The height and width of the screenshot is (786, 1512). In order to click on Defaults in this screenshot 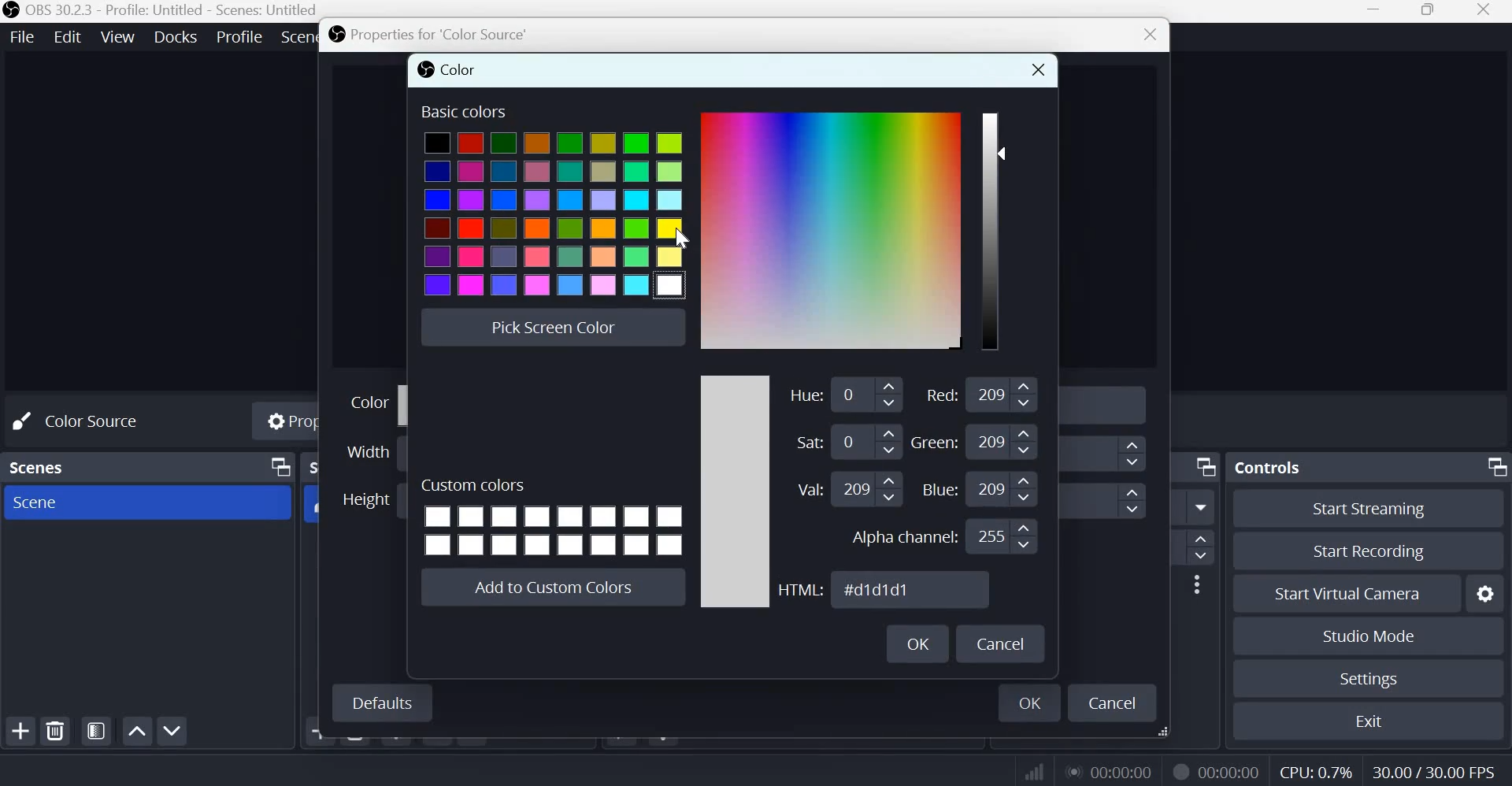, I will do `click(384, 701)`.